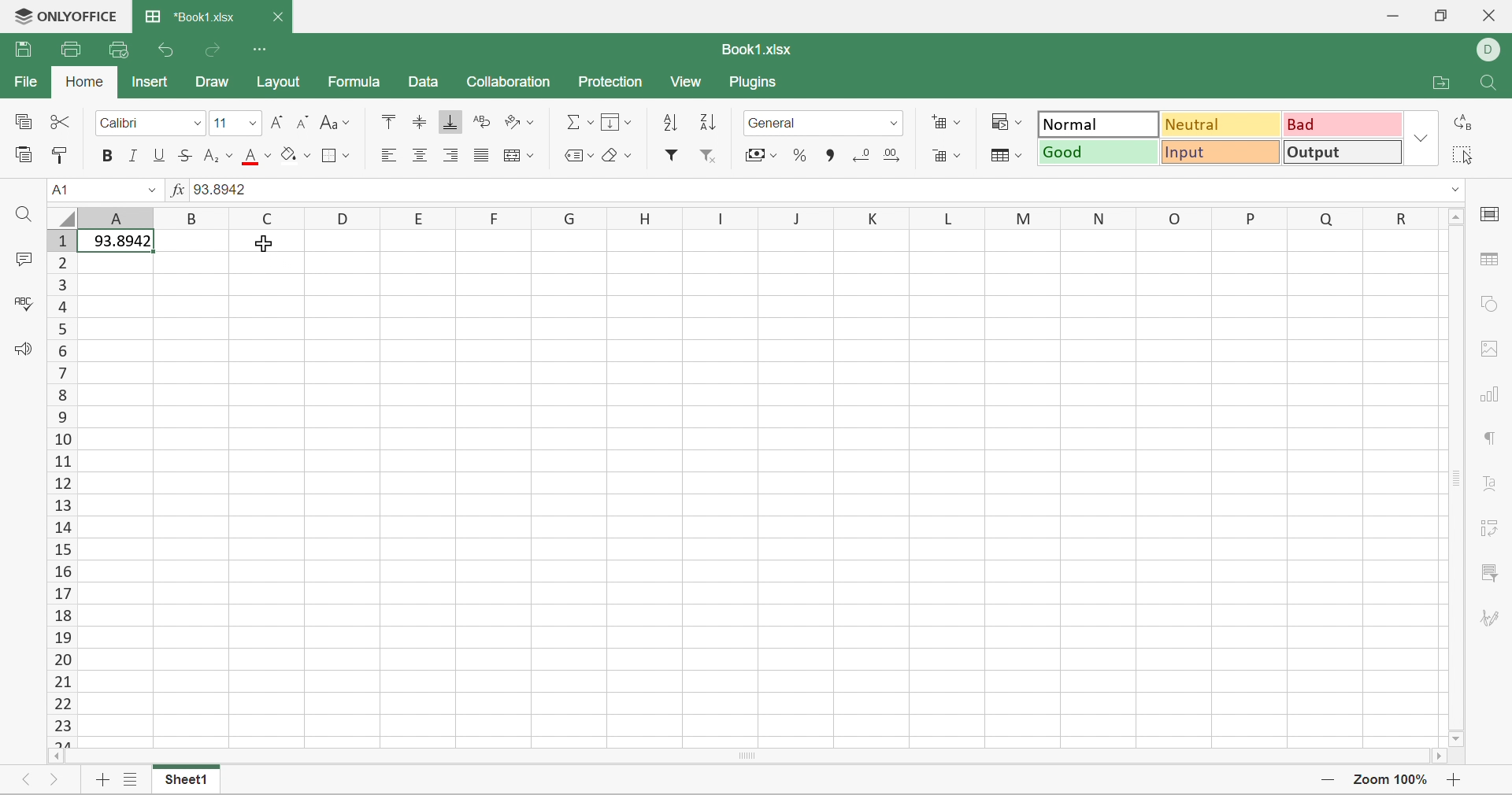 This screenshot has width=1512, height=795. What do you see at coordinates (215, 49) in the screenshot?
I see `Redo` at bounding box center [215, 49].